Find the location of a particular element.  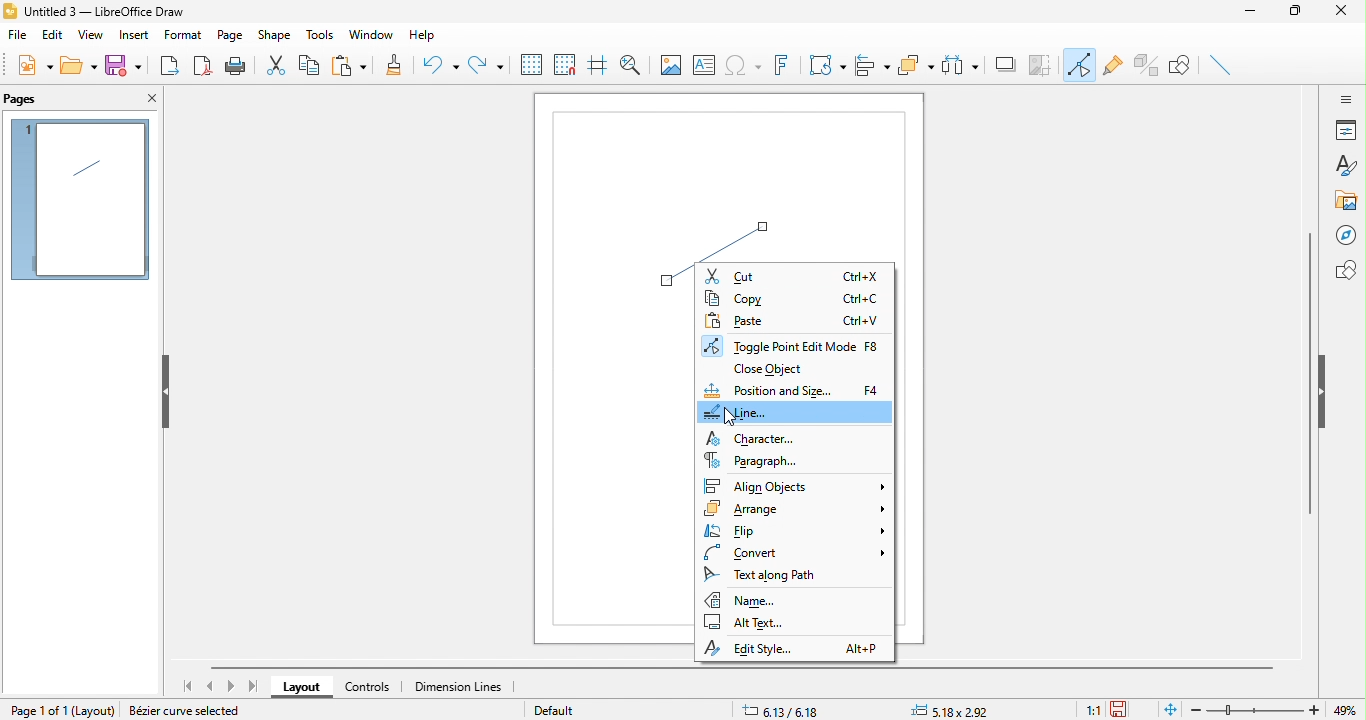

dimension line is located at coordinates (468, 687).